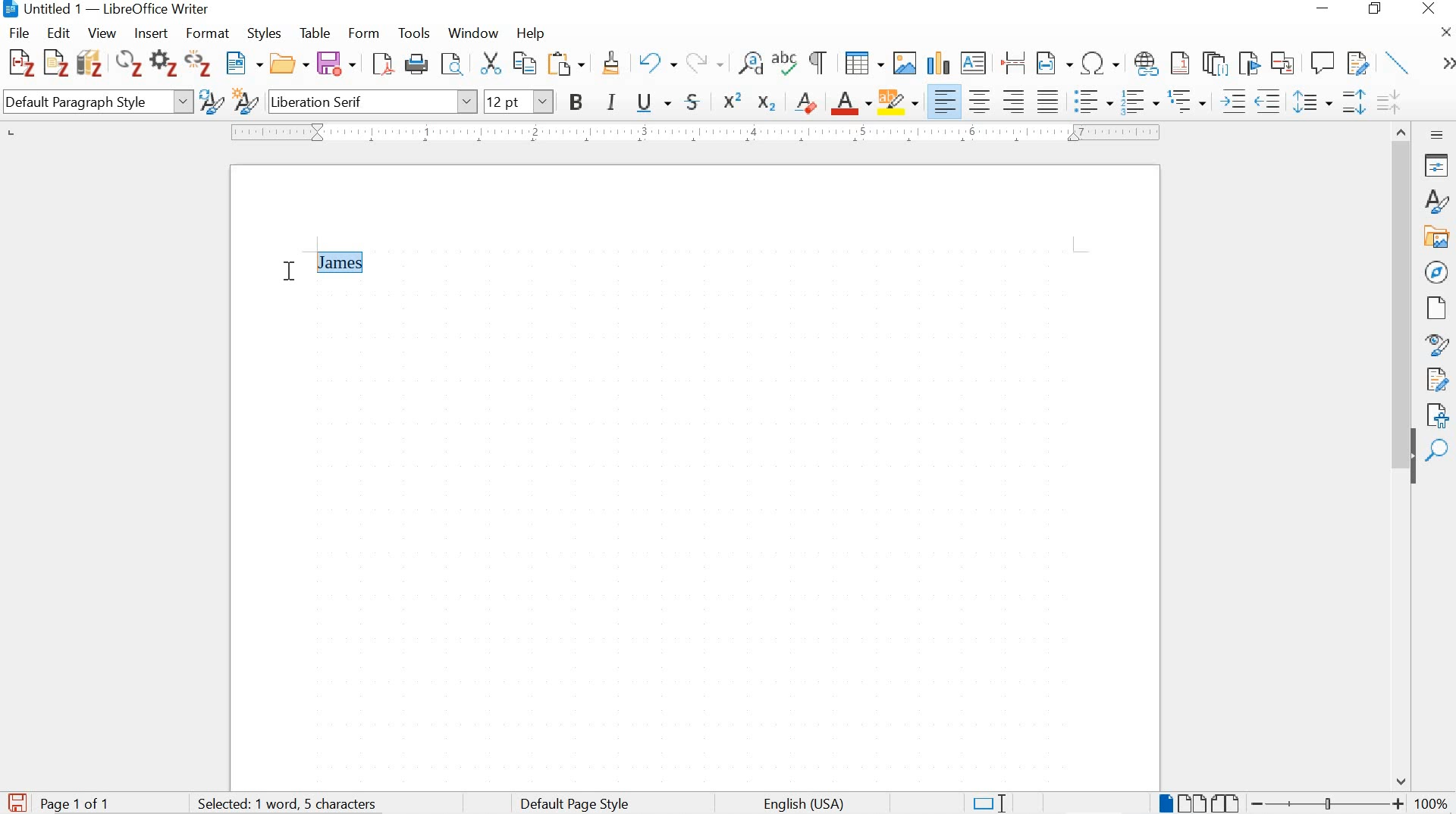  Describe the element at coordinates (97, 104) in the screenshot. I see `set paragraph style` at that location.